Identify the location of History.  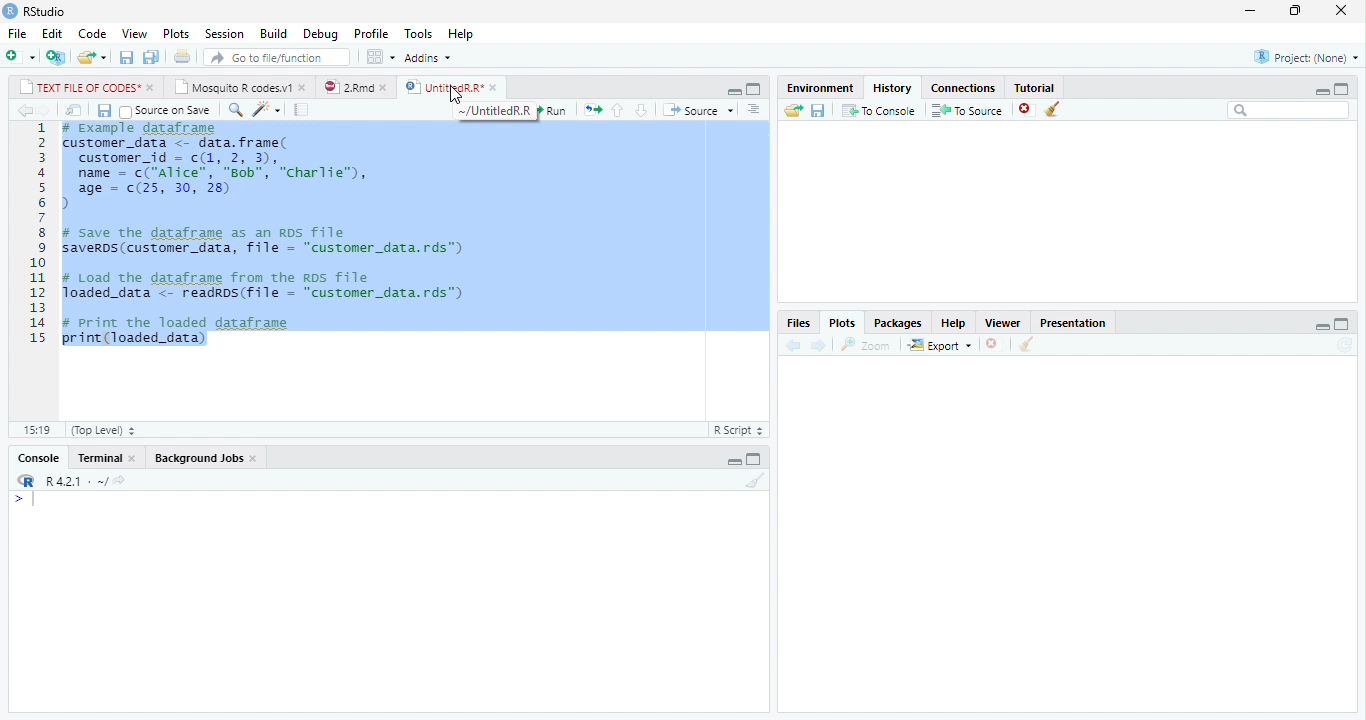
(892, 87).